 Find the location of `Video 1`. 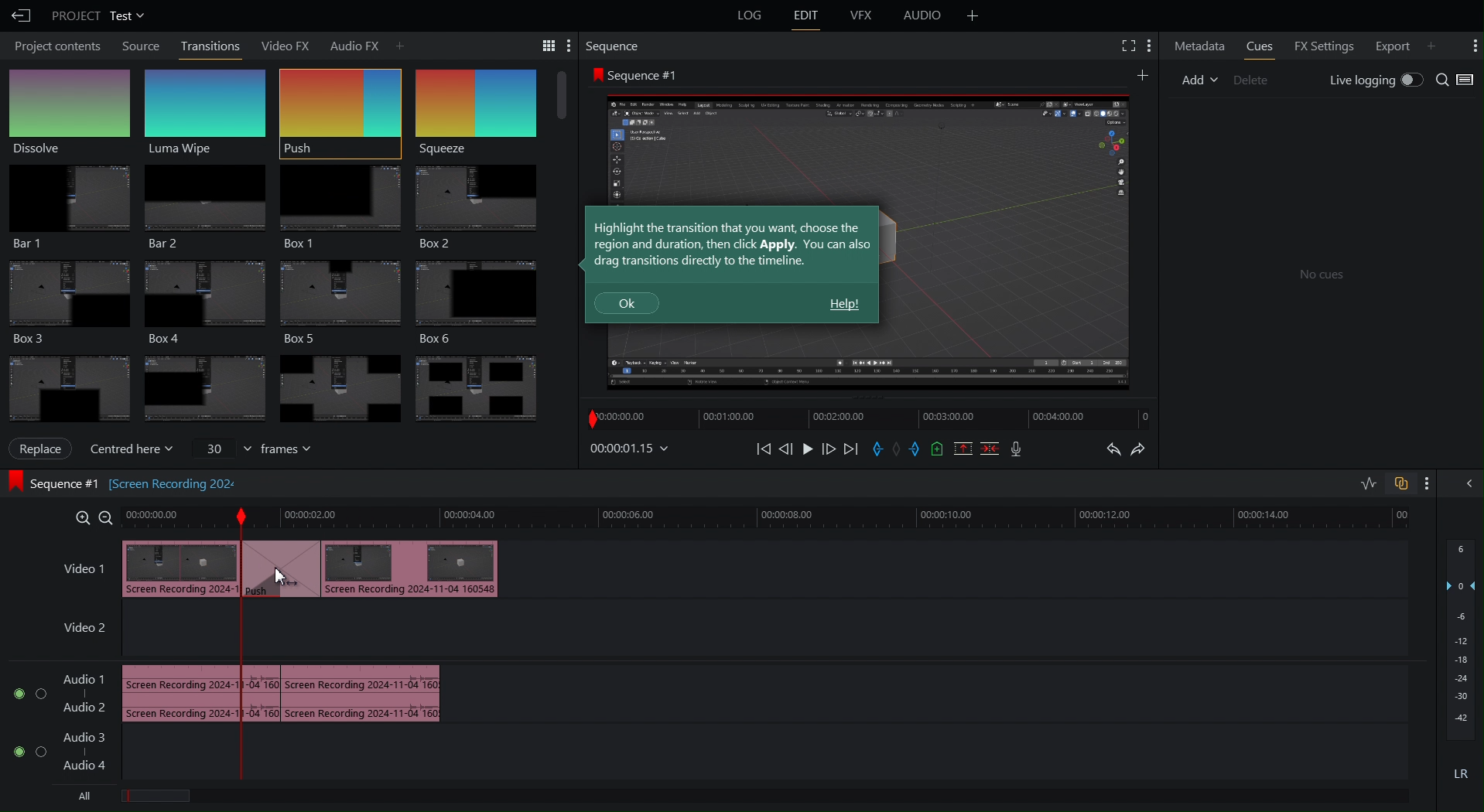

Video 1 is located at coordinates (80, 569).